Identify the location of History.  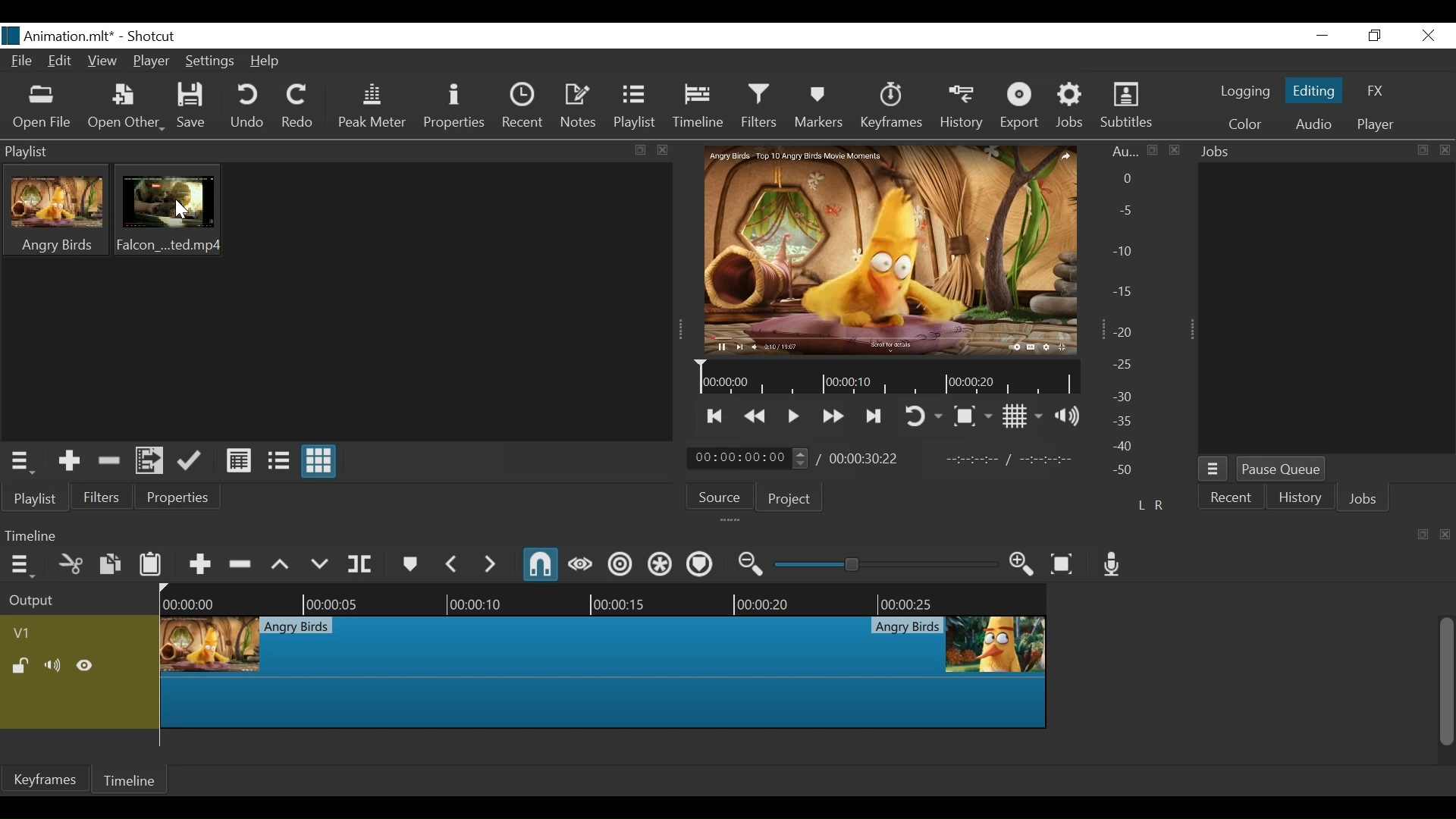
(1301, 499).